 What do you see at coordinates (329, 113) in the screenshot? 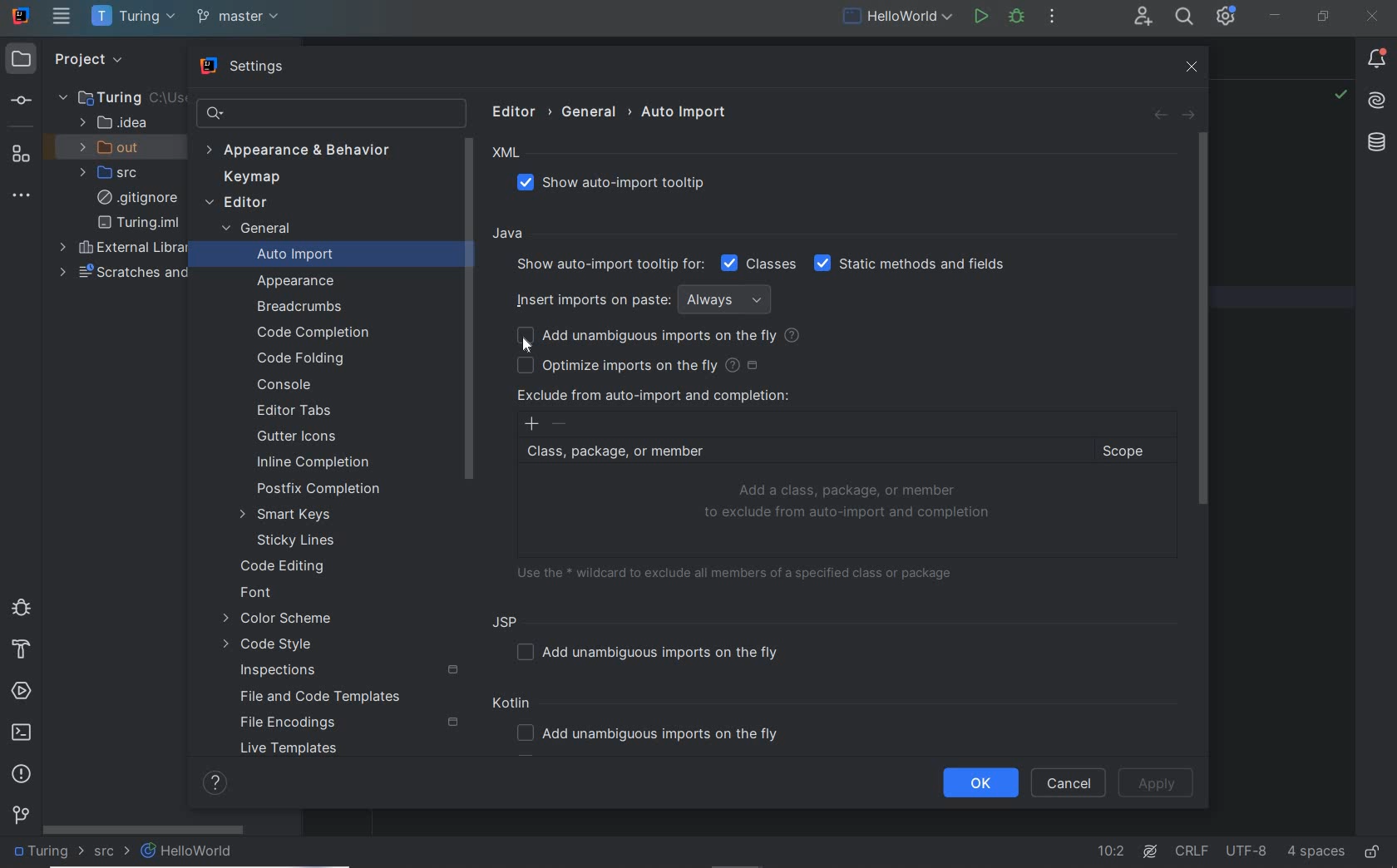
I see `RECENT SEARCH` at bounding box center [329, 113].